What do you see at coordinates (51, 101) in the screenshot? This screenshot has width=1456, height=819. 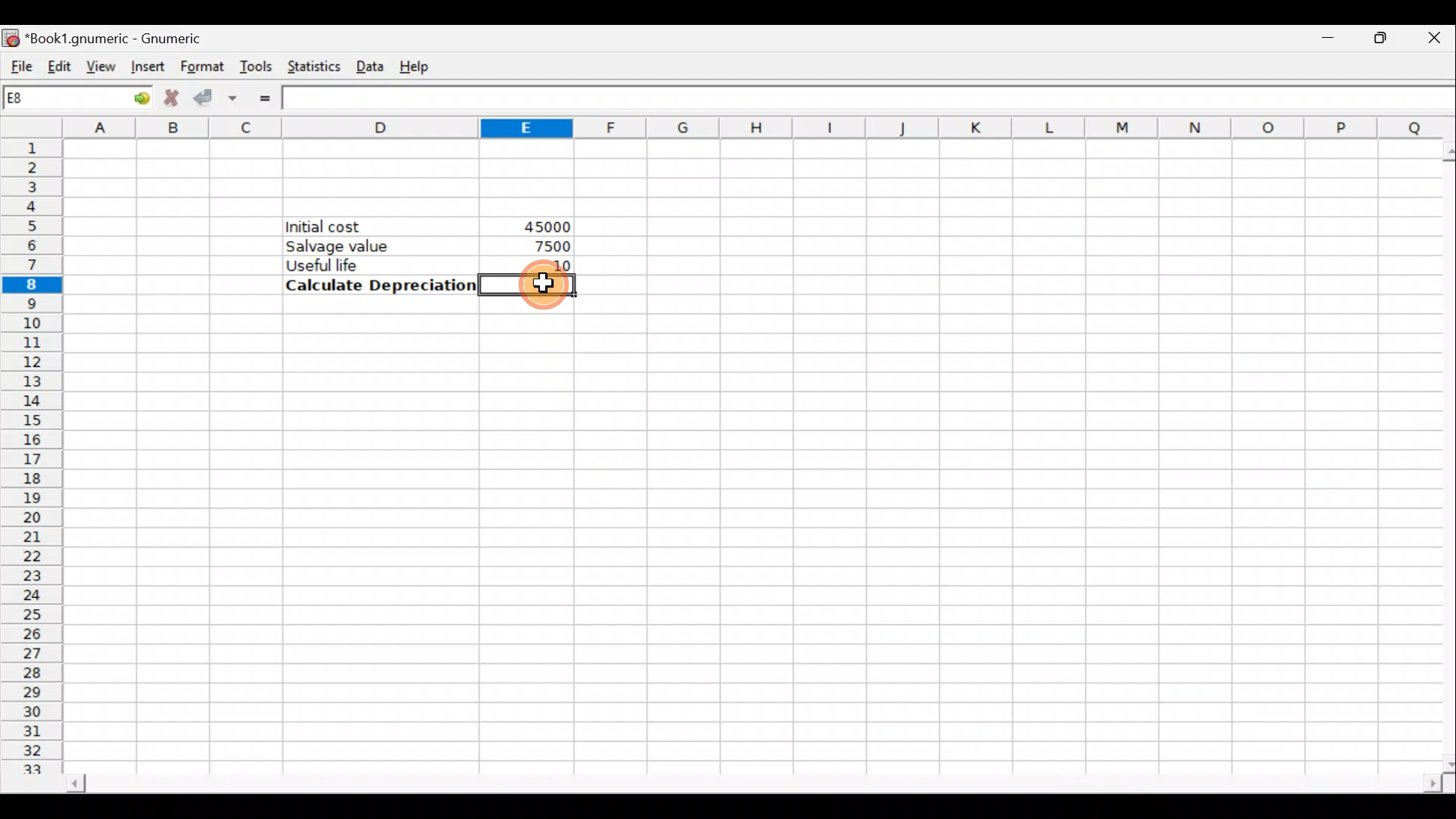 I see `Cell name E8` at bounding box center [51, 101].